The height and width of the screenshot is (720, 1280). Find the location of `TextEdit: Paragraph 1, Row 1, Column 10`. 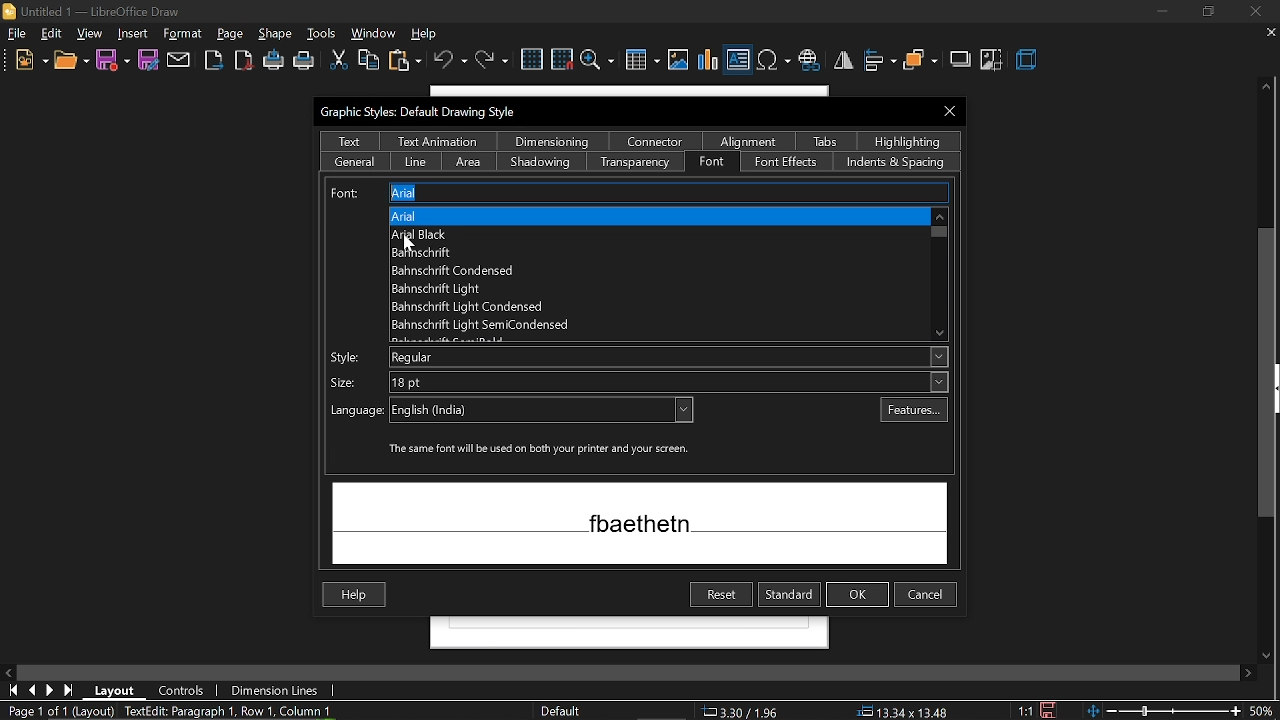

TextEdit: Paragraph 1, Row 1, Column 10 is located at coordinates (232, 711).